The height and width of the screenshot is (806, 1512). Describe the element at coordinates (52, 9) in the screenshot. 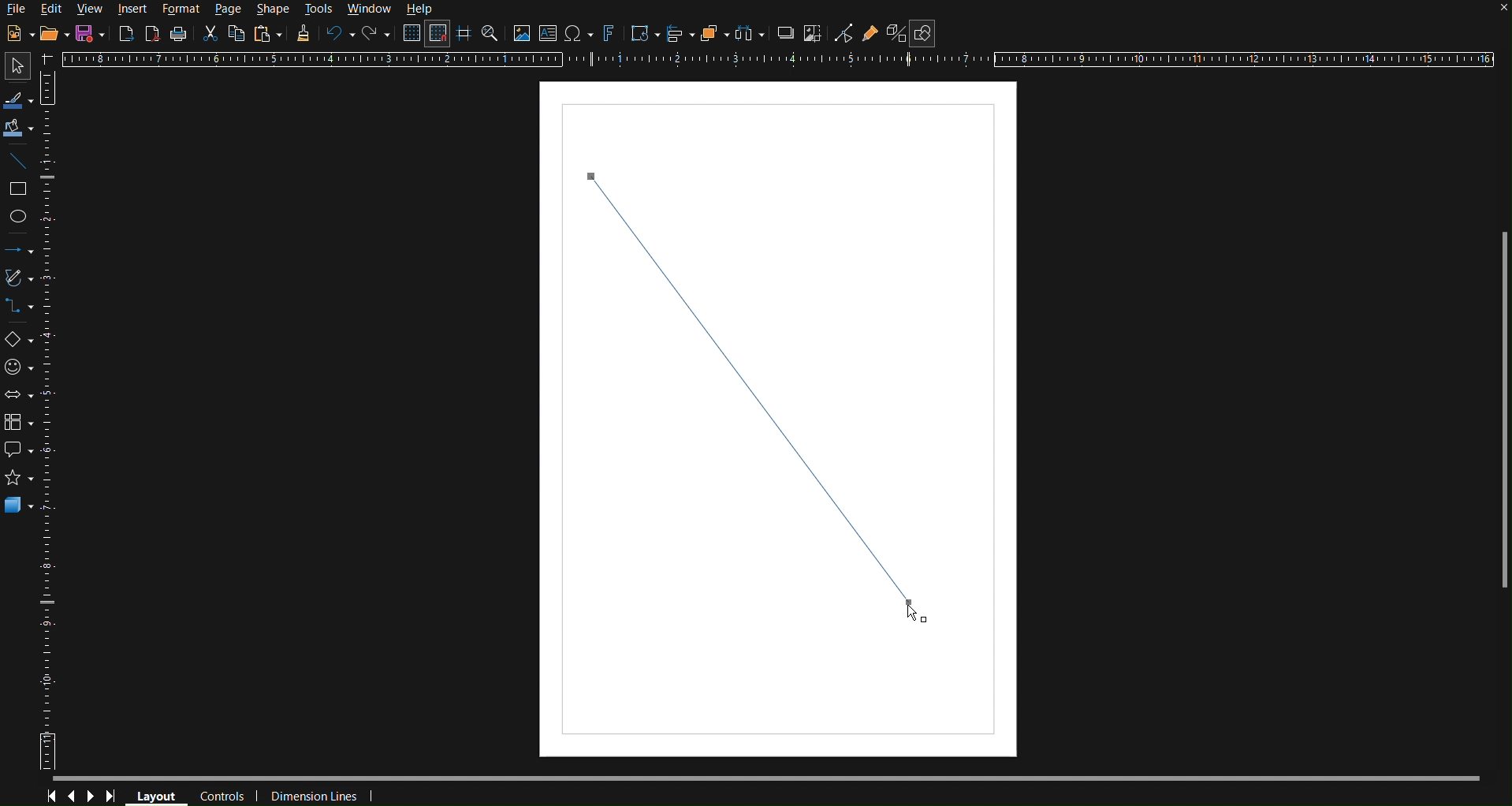

I see `Edit` at that location.